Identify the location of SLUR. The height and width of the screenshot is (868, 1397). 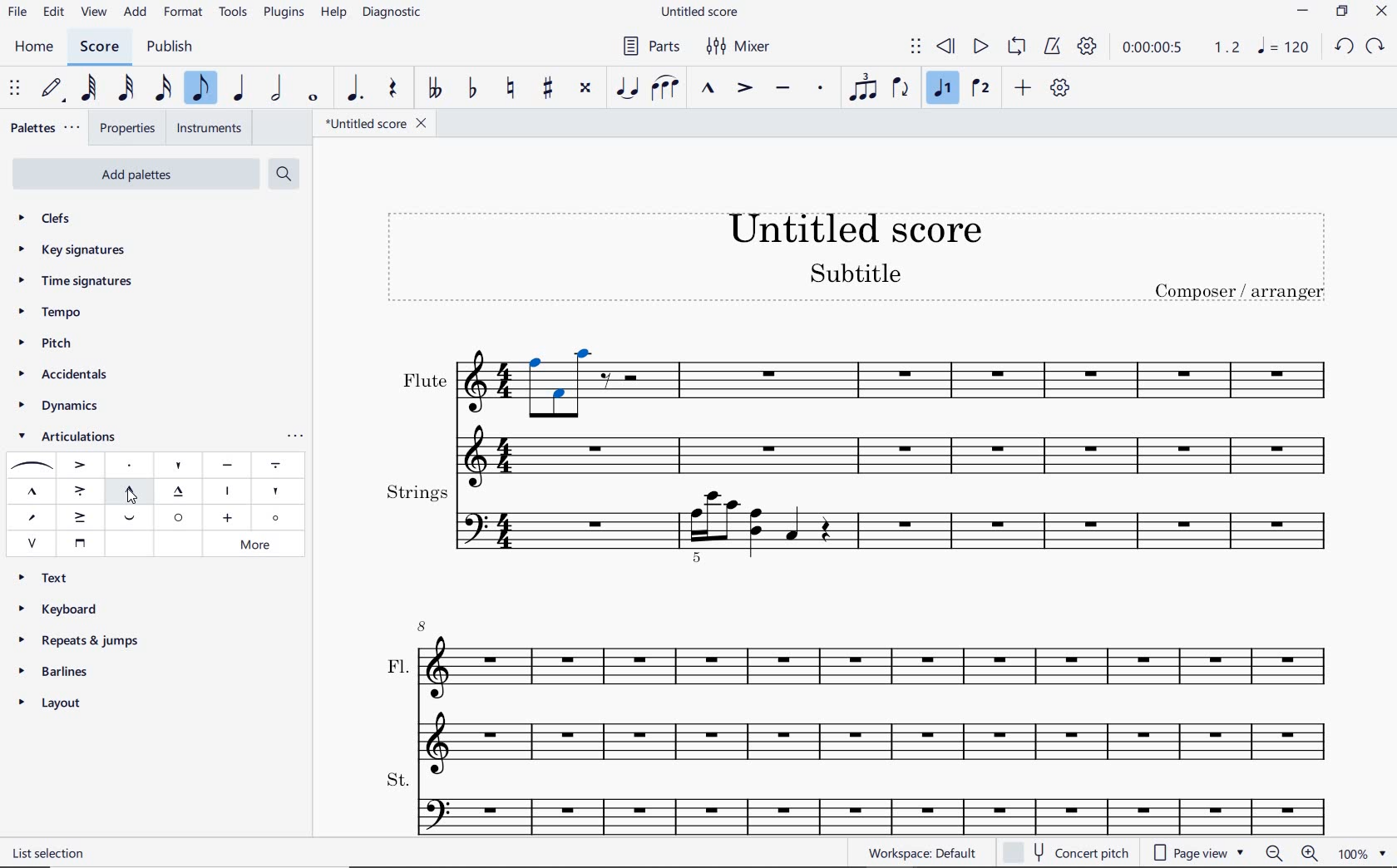
(29, 466).